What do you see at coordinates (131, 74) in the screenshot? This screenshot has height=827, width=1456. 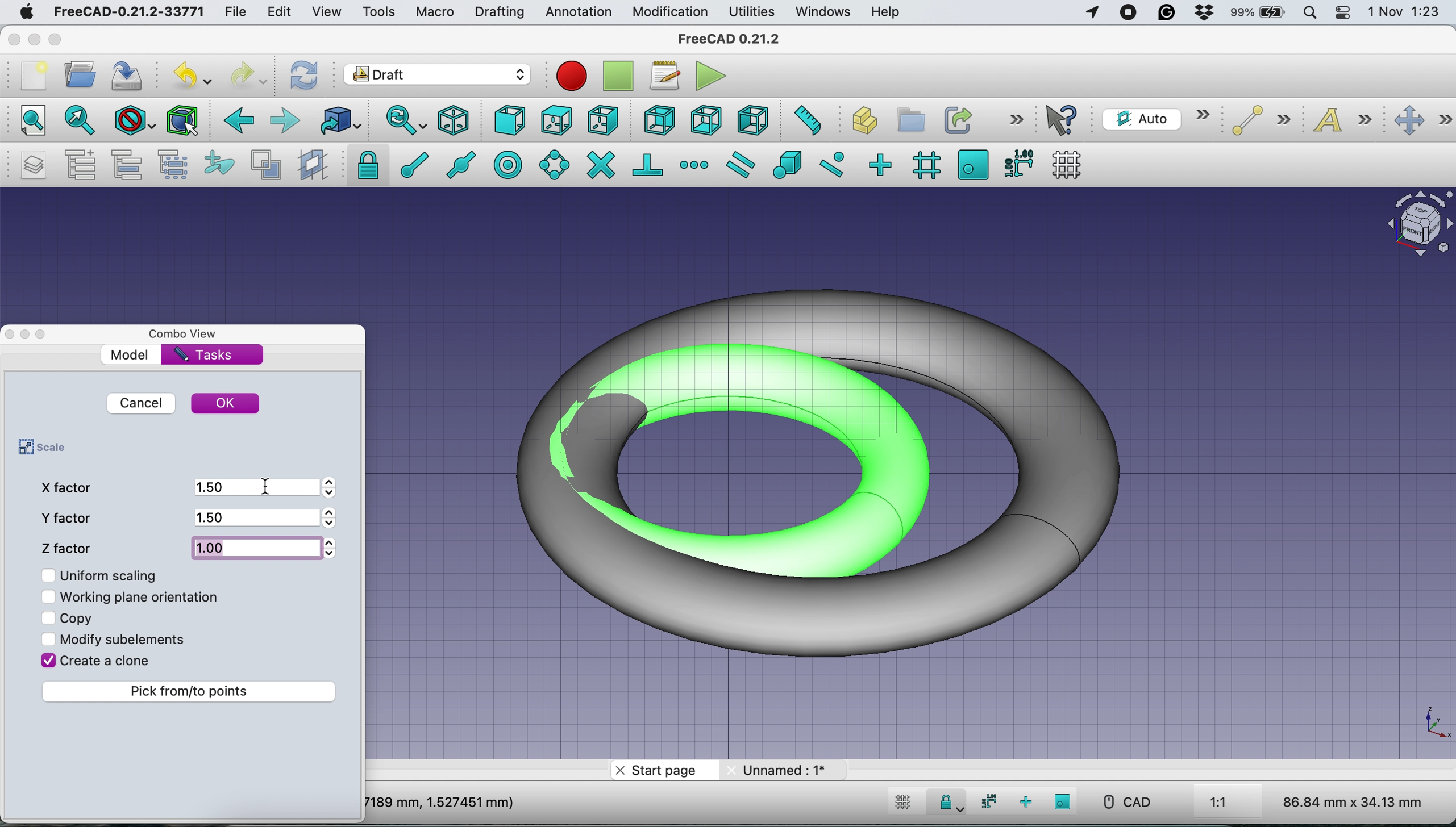 I see `save` at bounding box center [131, 74].